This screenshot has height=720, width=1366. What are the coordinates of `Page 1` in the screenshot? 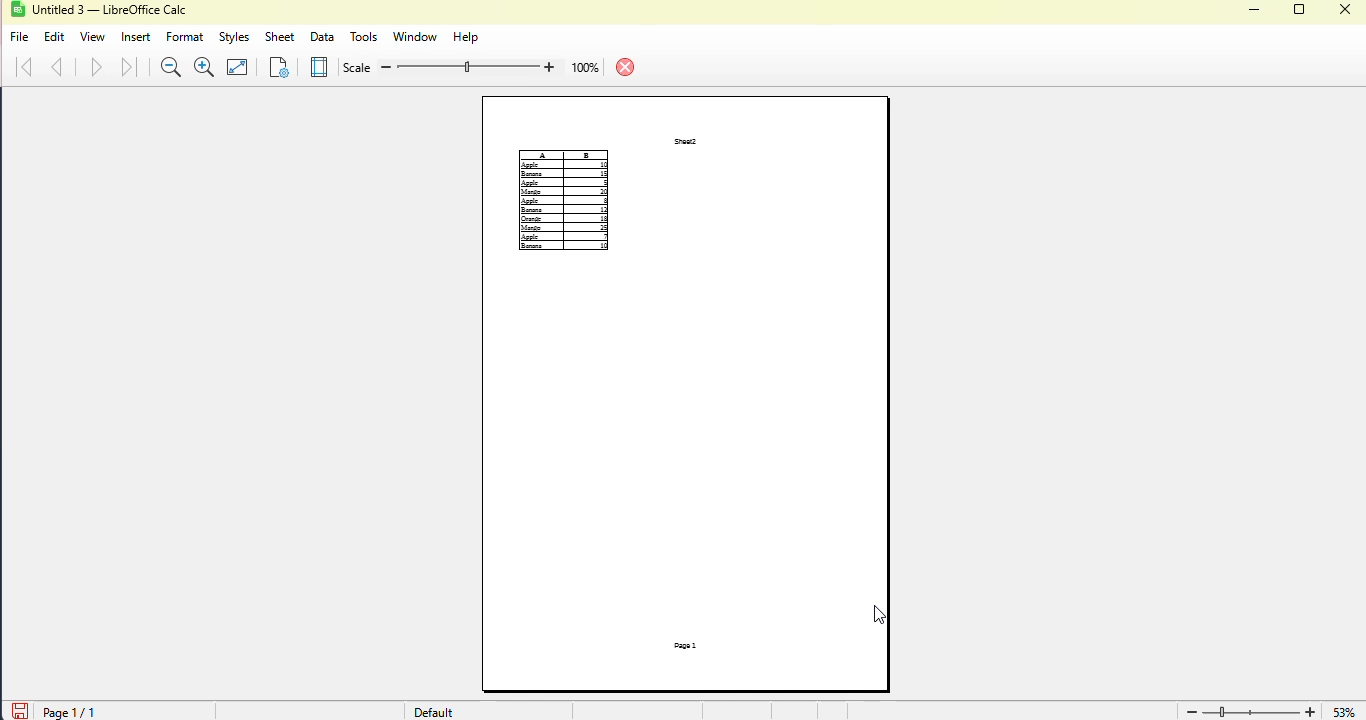 It's located at (685, 646).